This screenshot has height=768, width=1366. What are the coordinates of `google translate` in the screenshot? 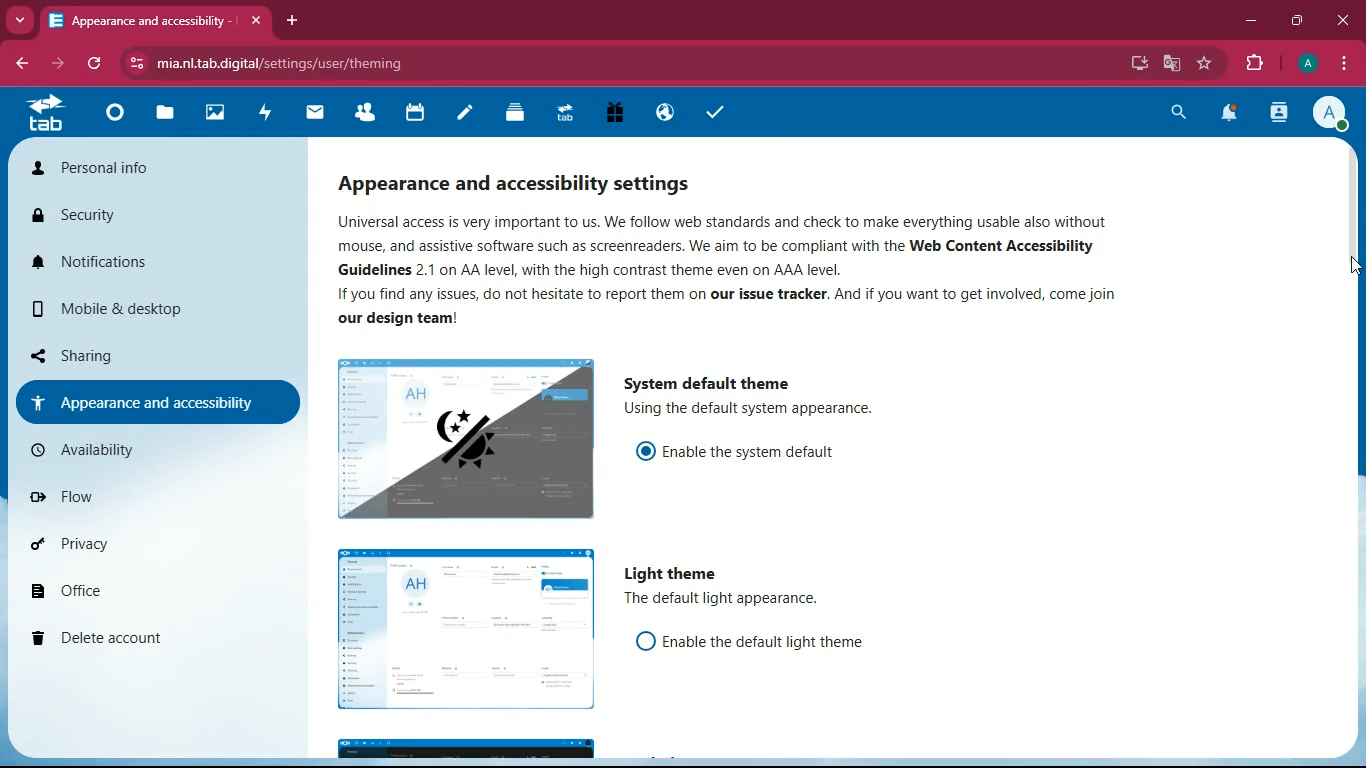 It's located at (1170, 66).